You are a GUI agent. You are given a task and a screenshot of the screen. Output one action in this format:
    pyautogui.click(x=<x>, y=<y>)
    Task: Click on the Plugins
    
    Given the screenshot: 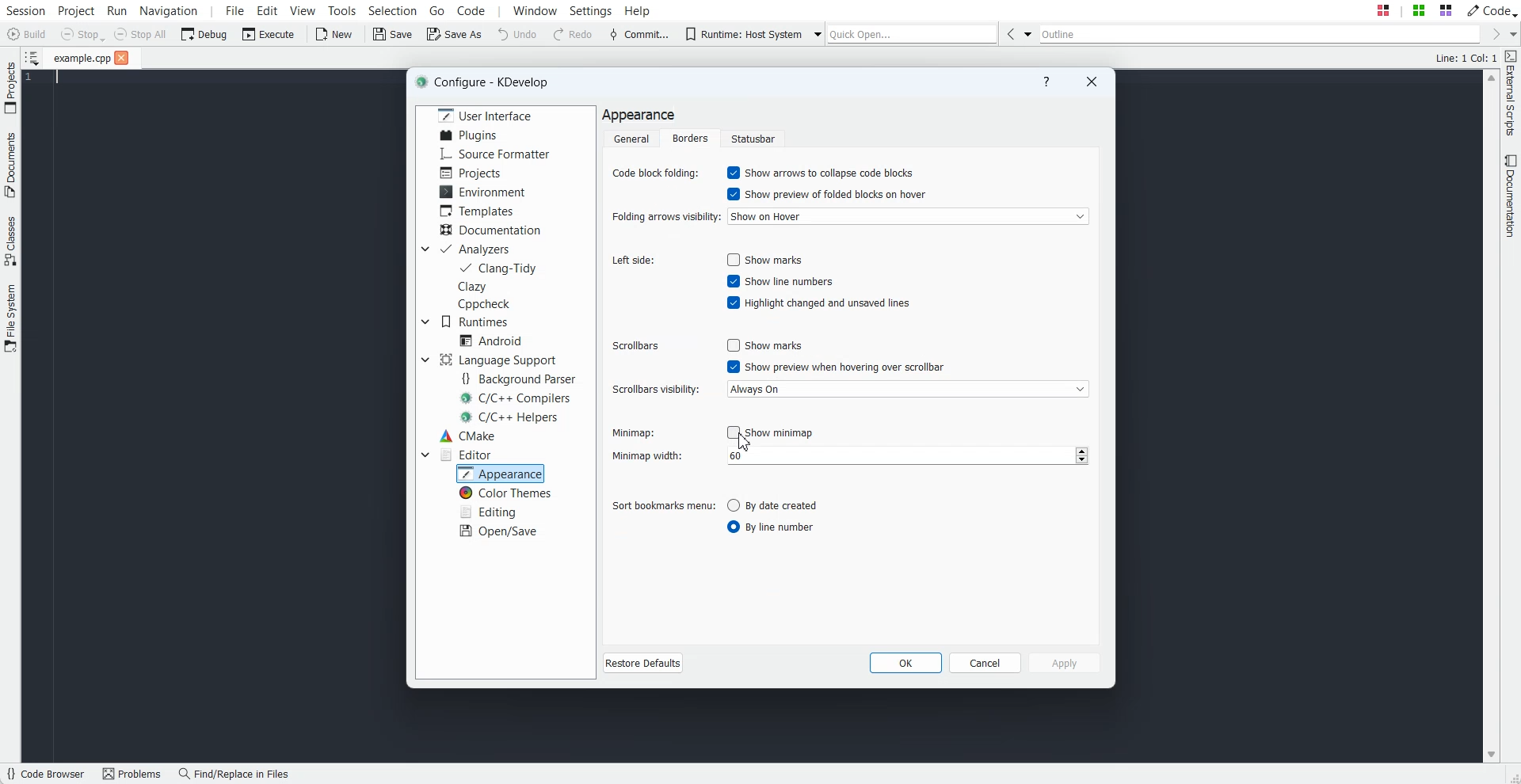 What is the action you would take?
    pyautogui.click(x=471, y=135)
    